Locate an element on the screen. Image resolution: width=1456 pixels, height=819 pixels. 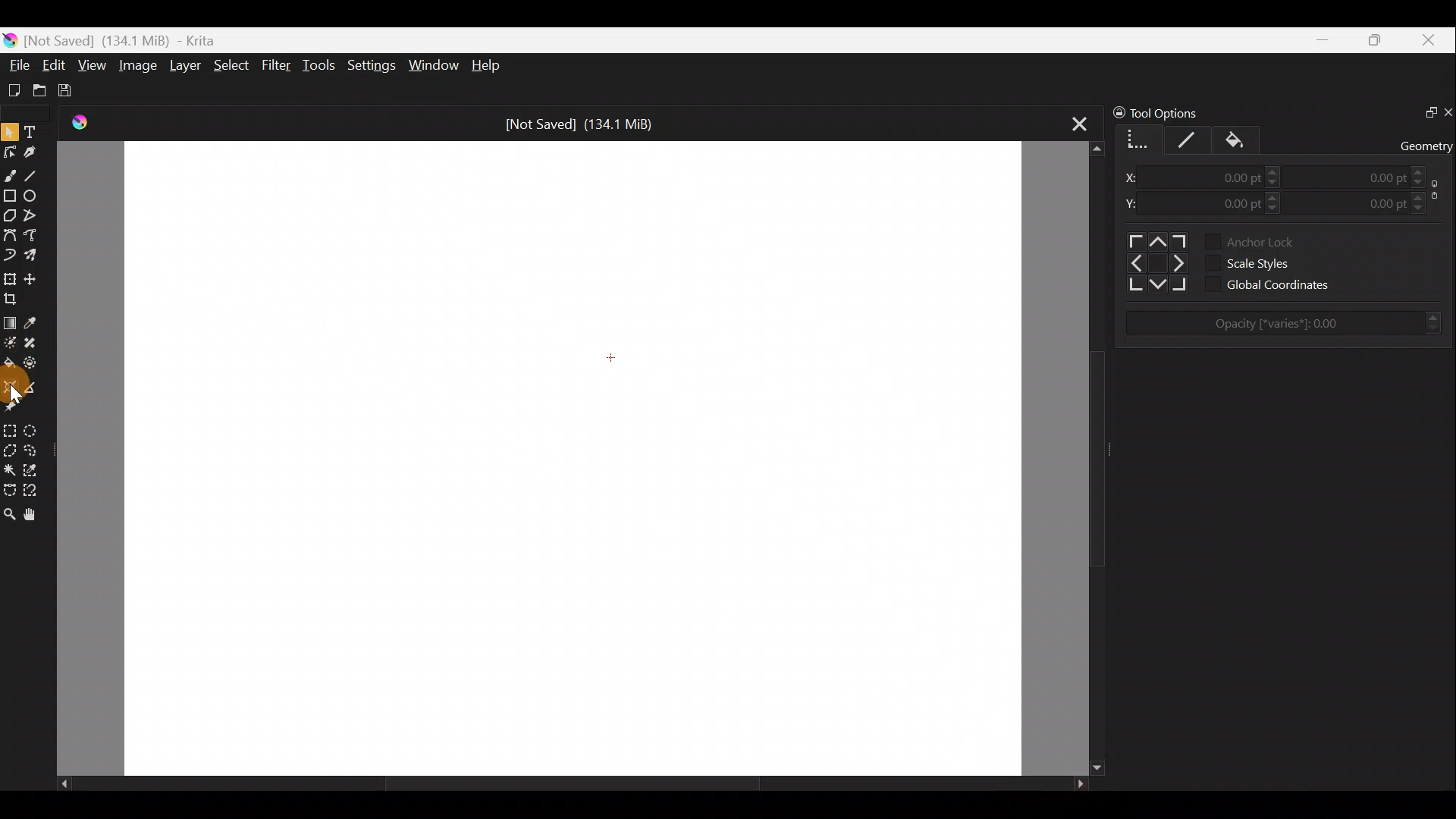
Text tool is located at coordinates (33, 129).